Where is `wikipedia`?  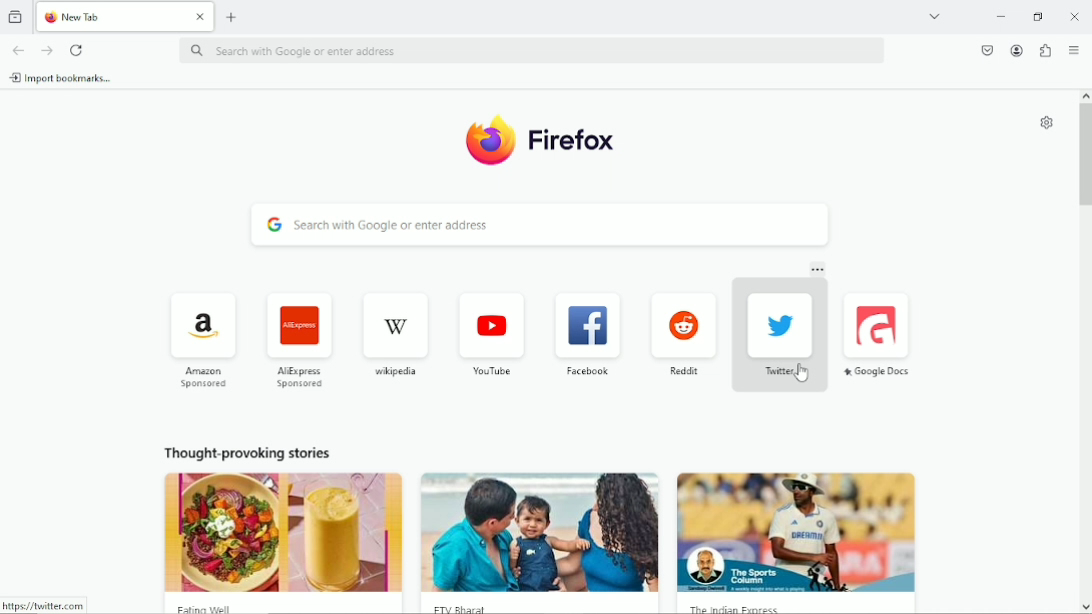
wikipedia is located at coordinates (394, 334).